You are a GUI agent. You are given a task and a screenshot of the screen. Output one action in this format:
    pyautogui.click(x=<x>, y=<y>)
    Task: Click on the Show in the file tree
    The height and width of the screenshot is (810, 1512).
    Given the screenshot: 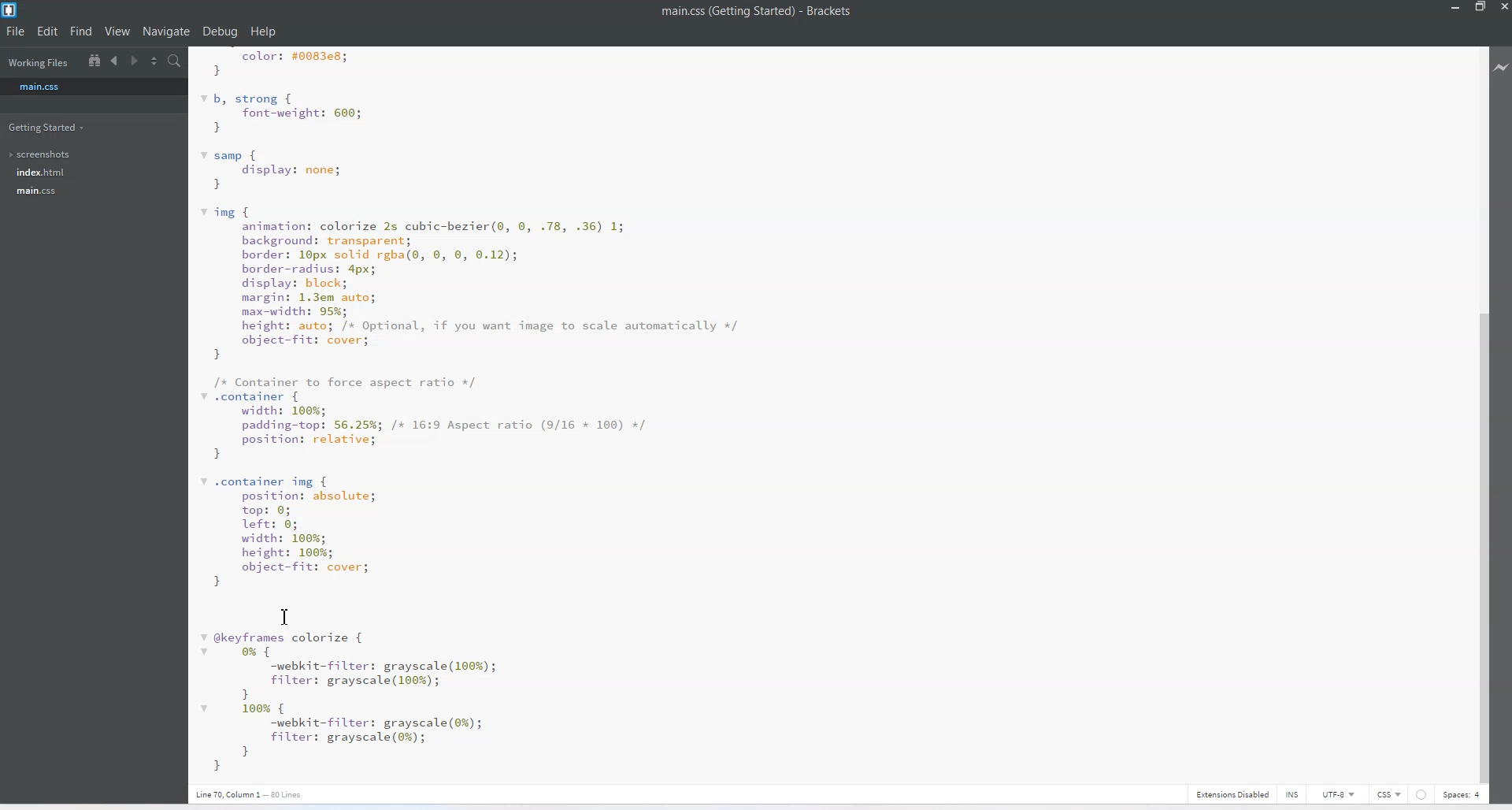 What is the action you would take?
    pyautogui.click(x=94, y=60)
    